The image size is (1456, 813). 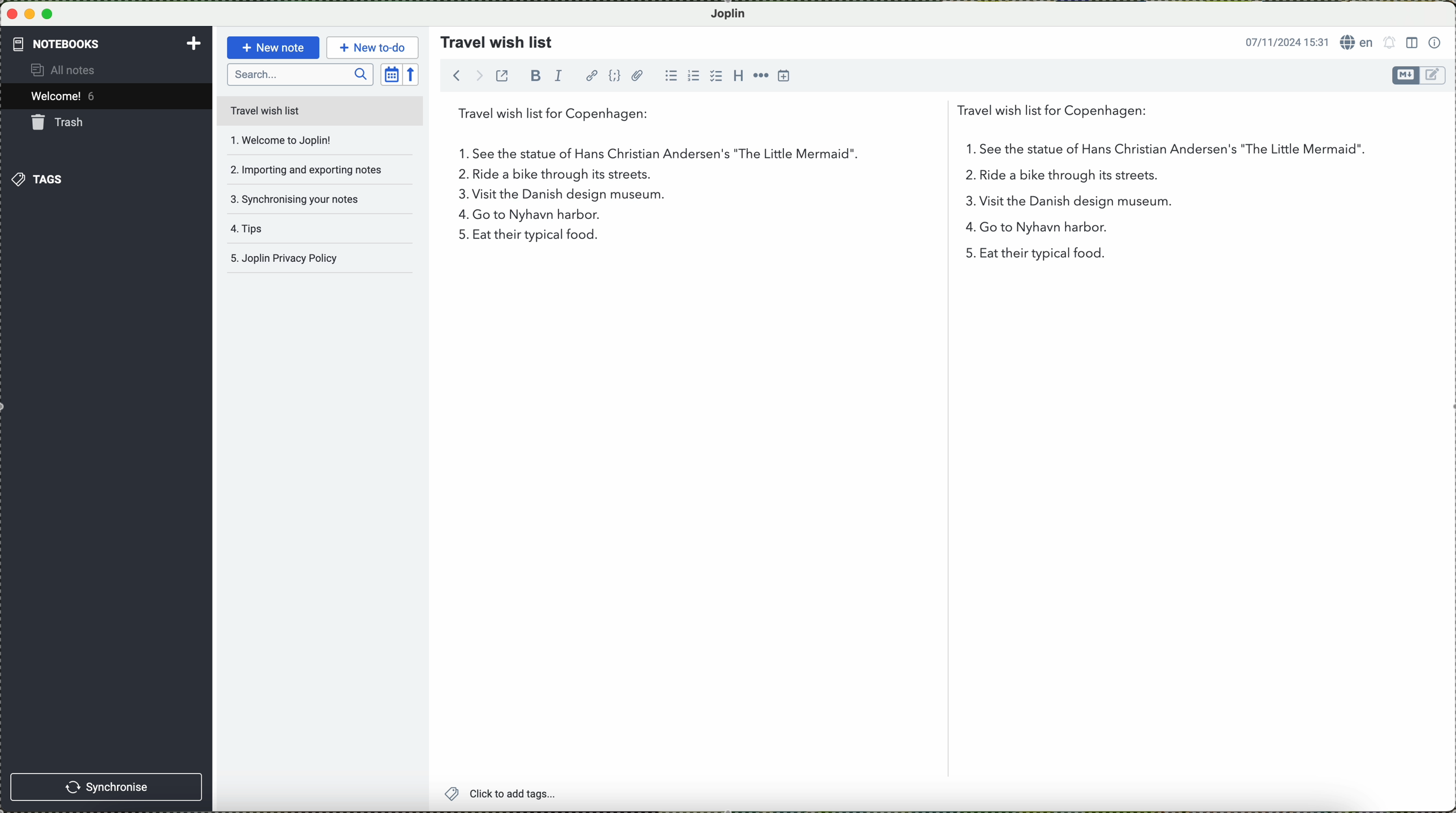 I want to click on 2., so click(x=458, y=178).